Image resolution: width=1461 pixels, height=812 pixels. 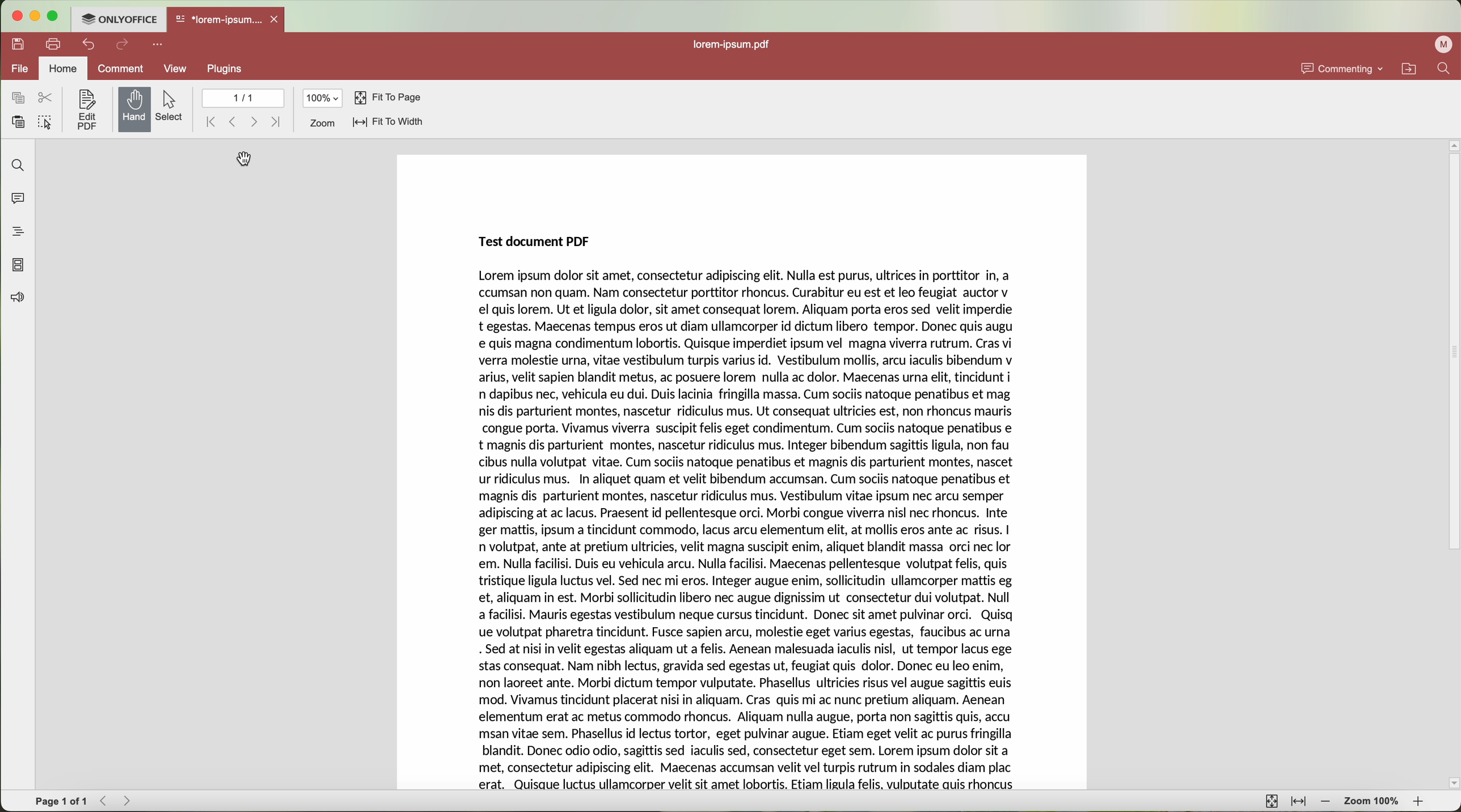 I want to click on zoom in, so click(x=1422, y=802).